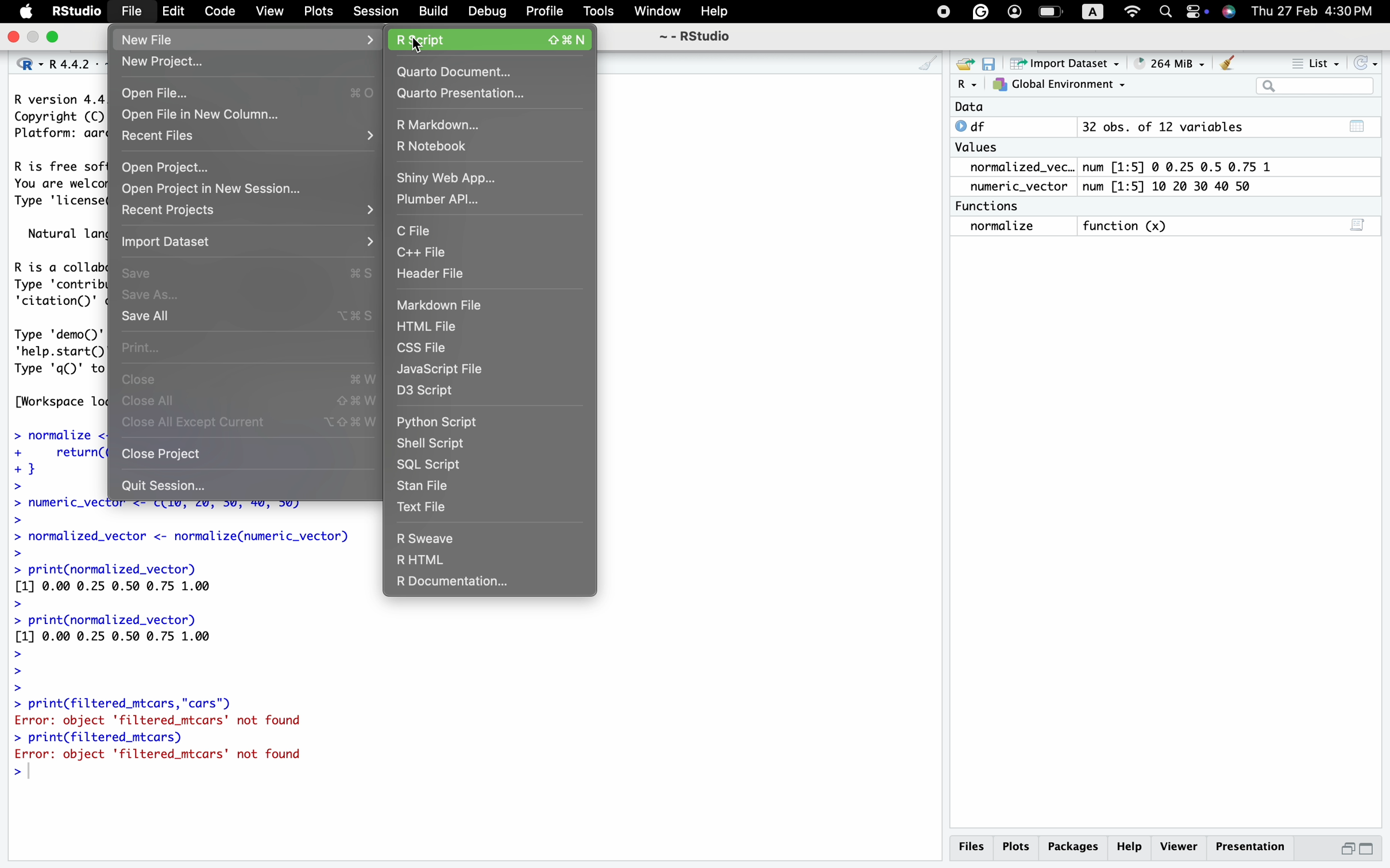 Image resolution: width=1390 pixels, height=868 pixels. I want to click on normalized_vector <- normalize(numeric_vector), so click(179, 544).